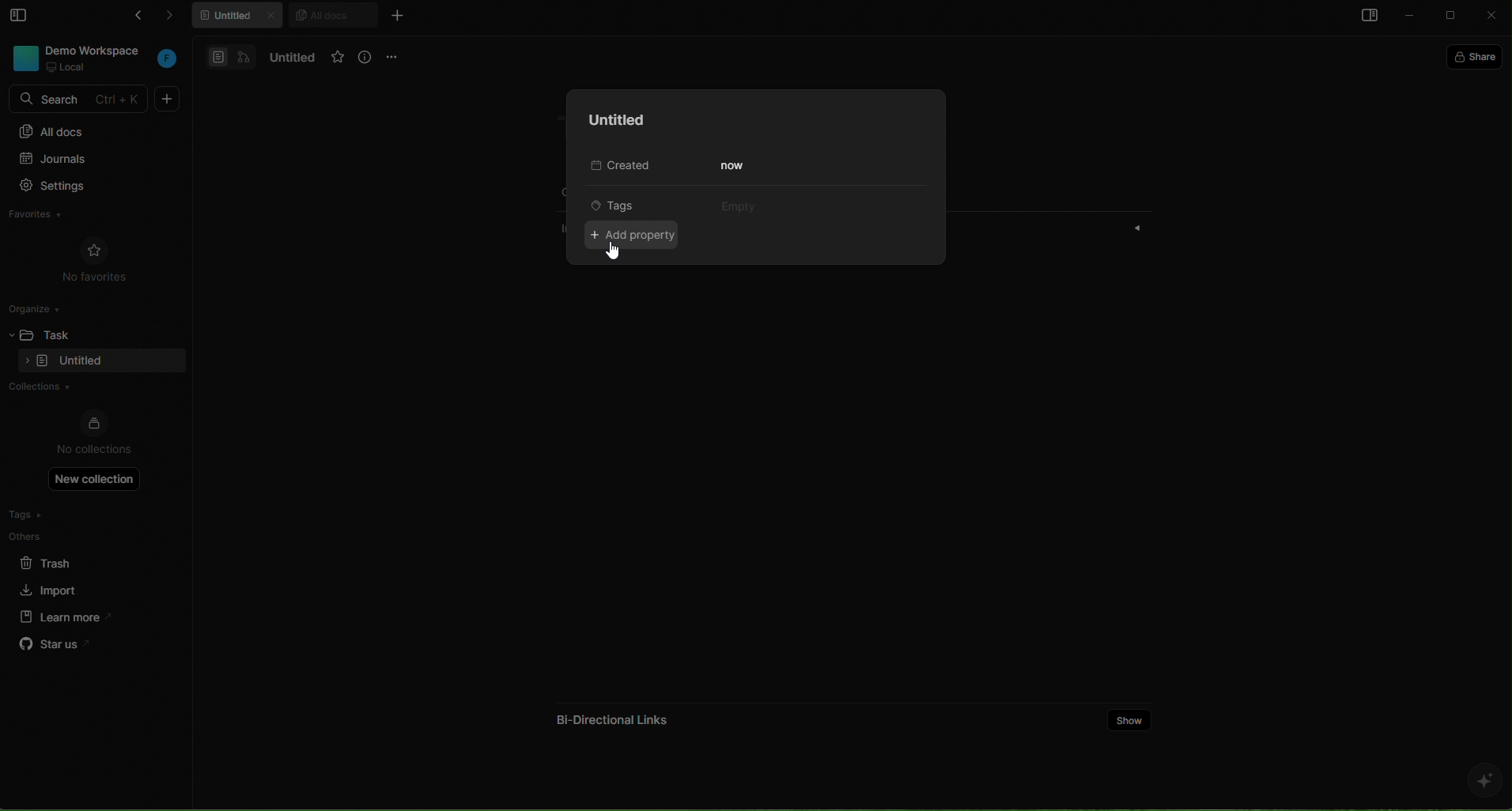 Image resolution: width=1512 pixels, height=811 pixels. Describe the element at coordinates (59, 536) in the screenshot. I see `others` at that location.